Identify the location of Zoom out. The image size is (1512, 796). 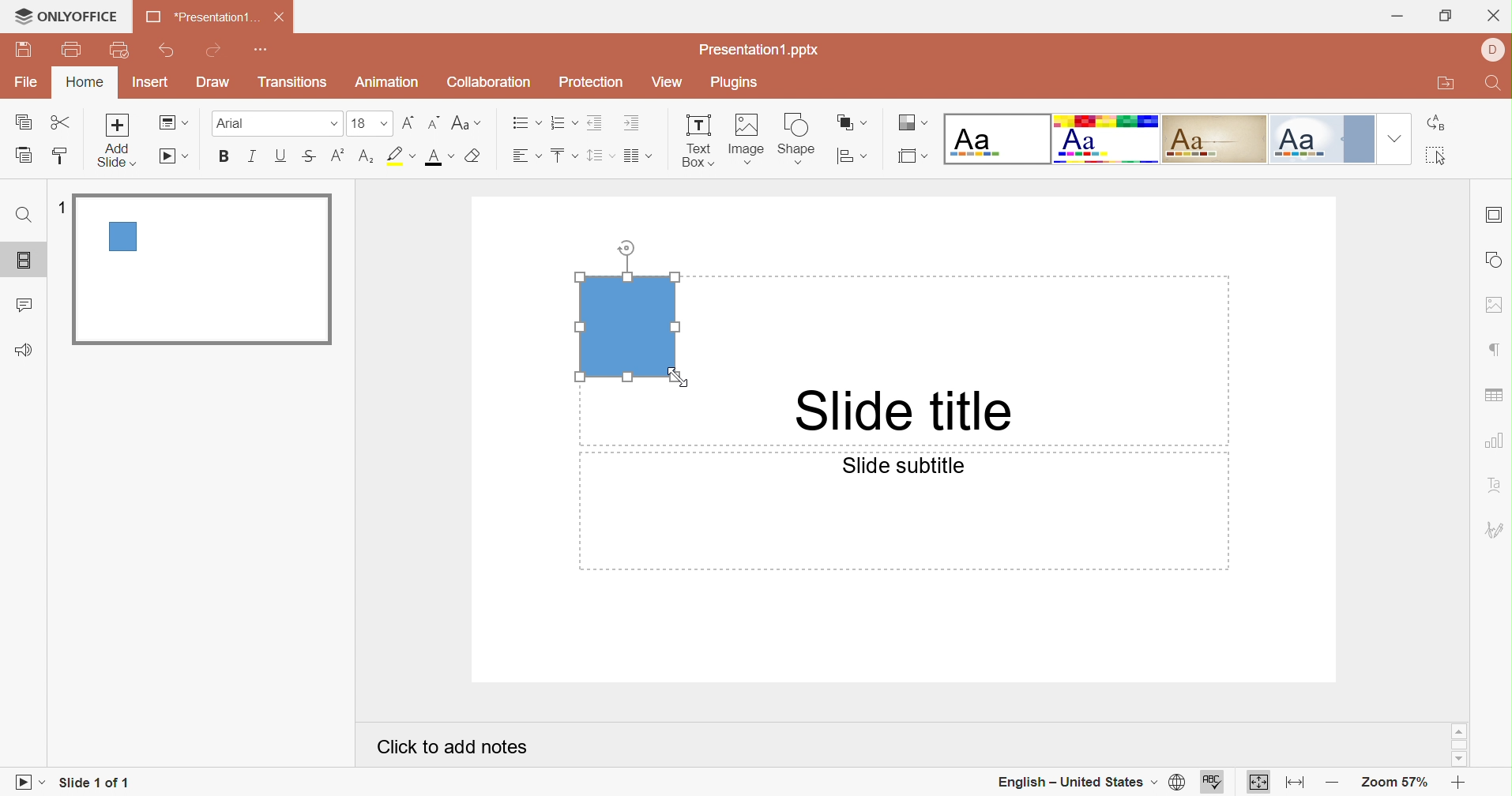
(1334, 784).